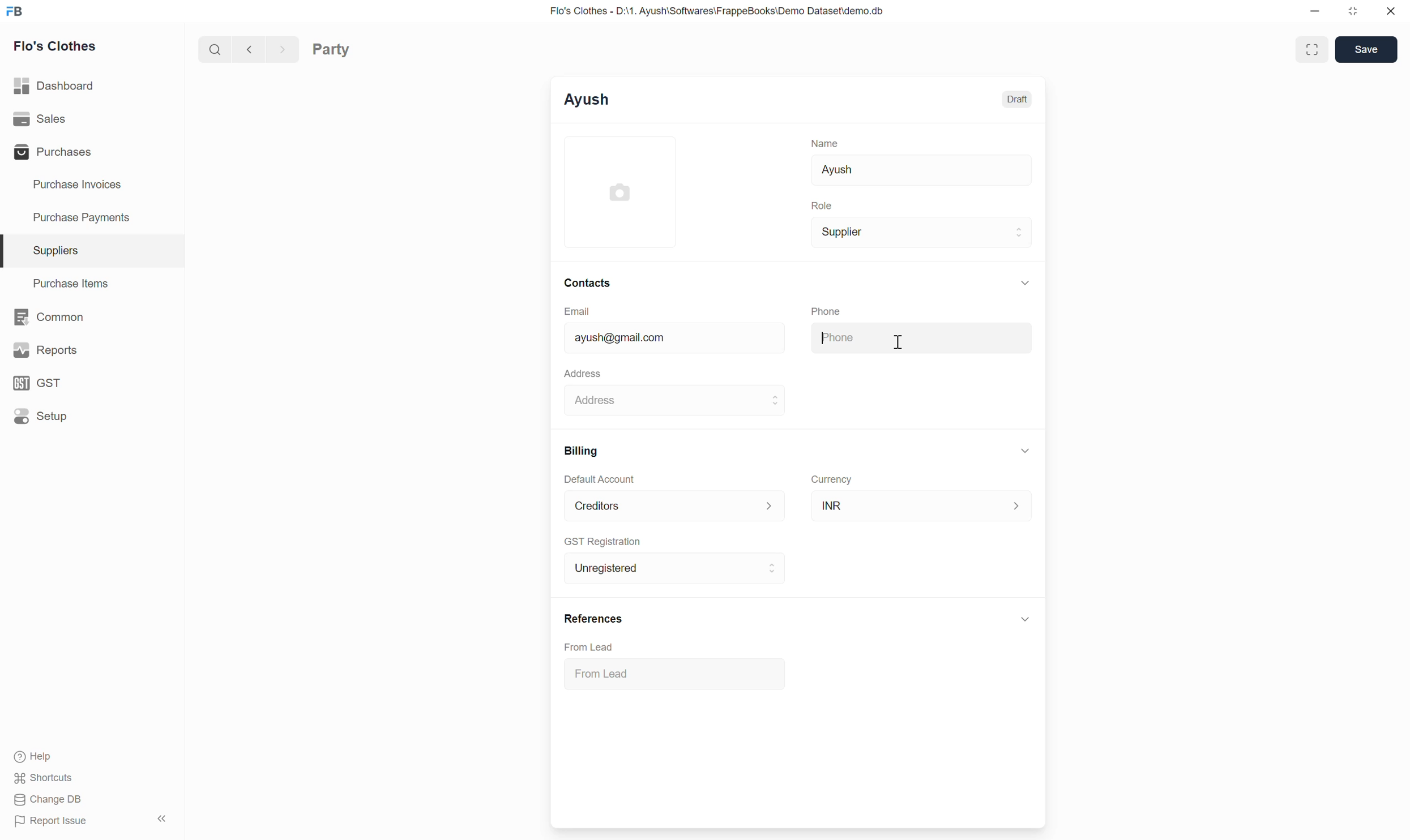  Describe the element at coordinates (92, 350) in the screenshot. I see `Reports` at that location.